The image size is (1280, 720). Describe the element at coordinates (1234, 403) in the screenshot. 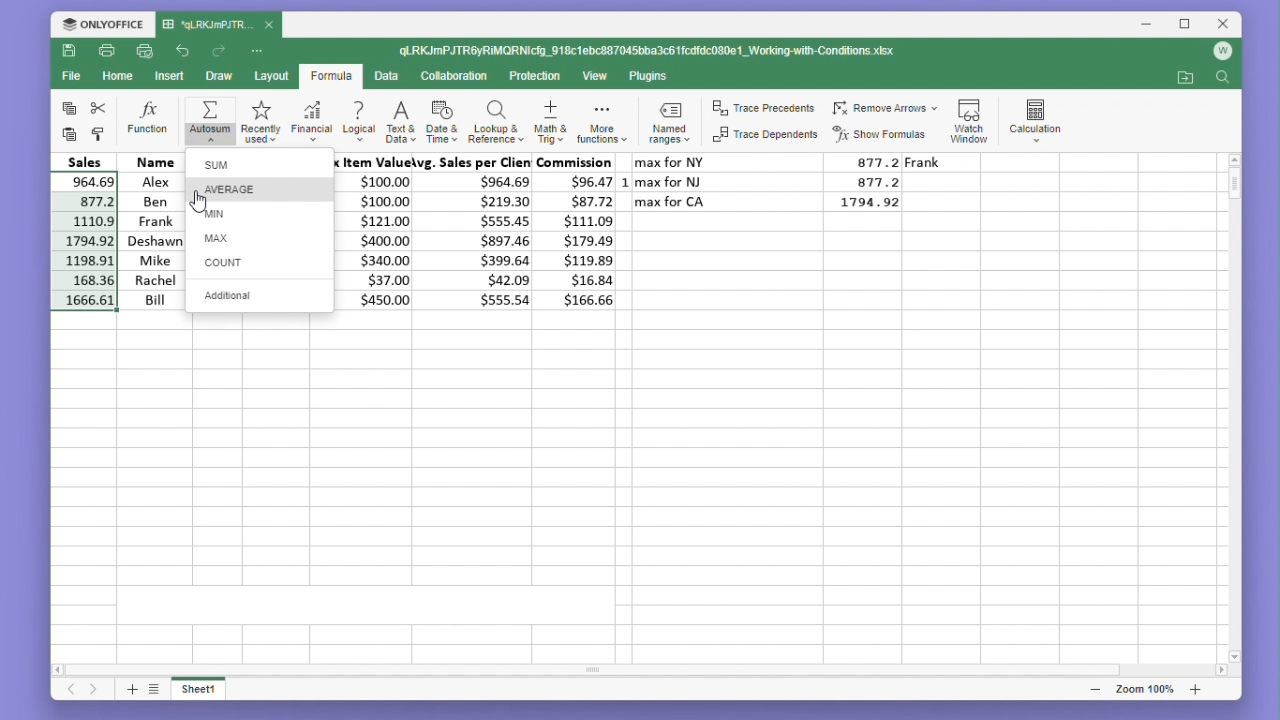

I see `Vertical scroll bar` at that location.